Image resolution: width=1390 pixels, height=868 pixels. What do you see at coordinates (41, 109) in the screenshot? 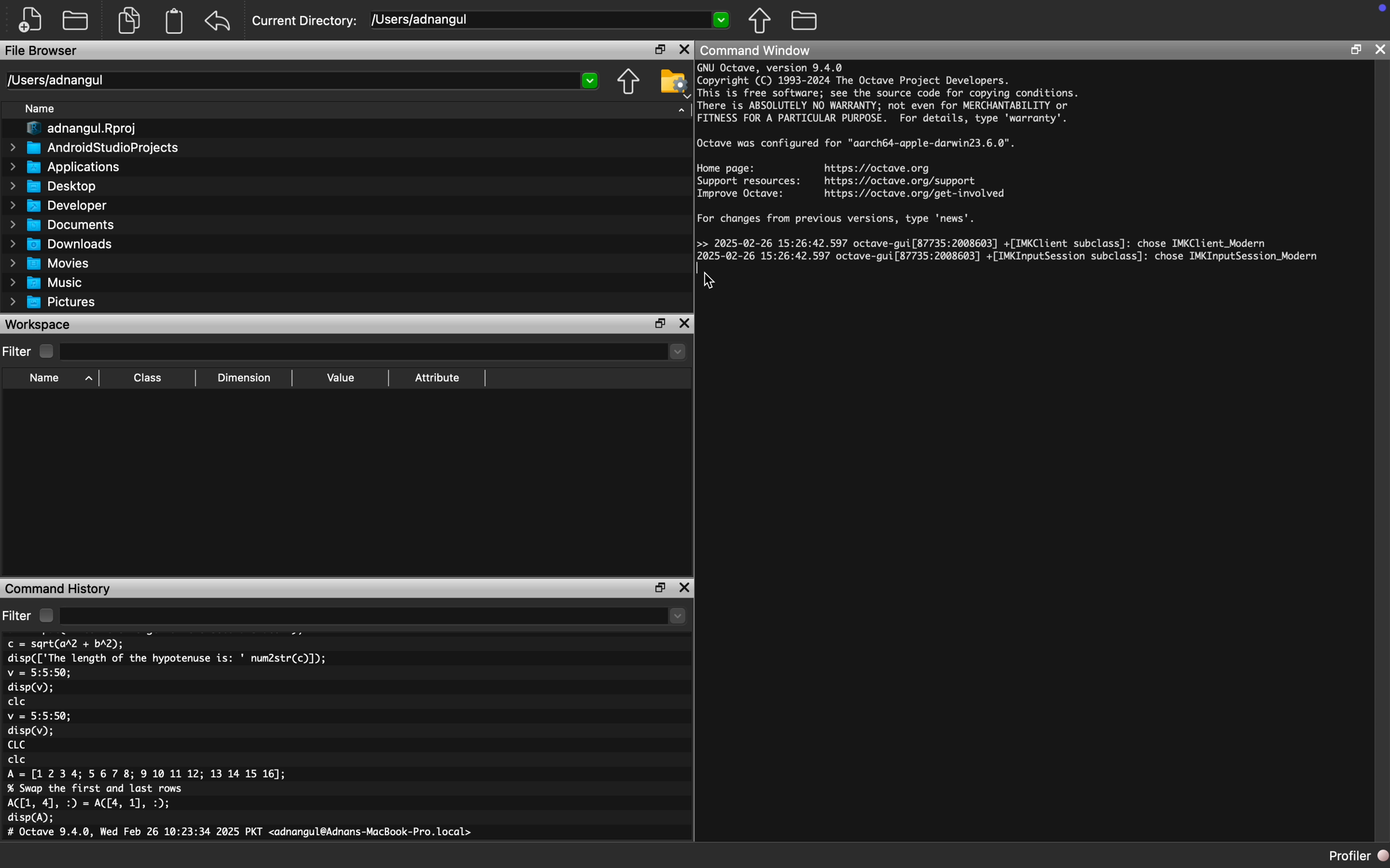
I see `Name` at bounding box center [41, 109].